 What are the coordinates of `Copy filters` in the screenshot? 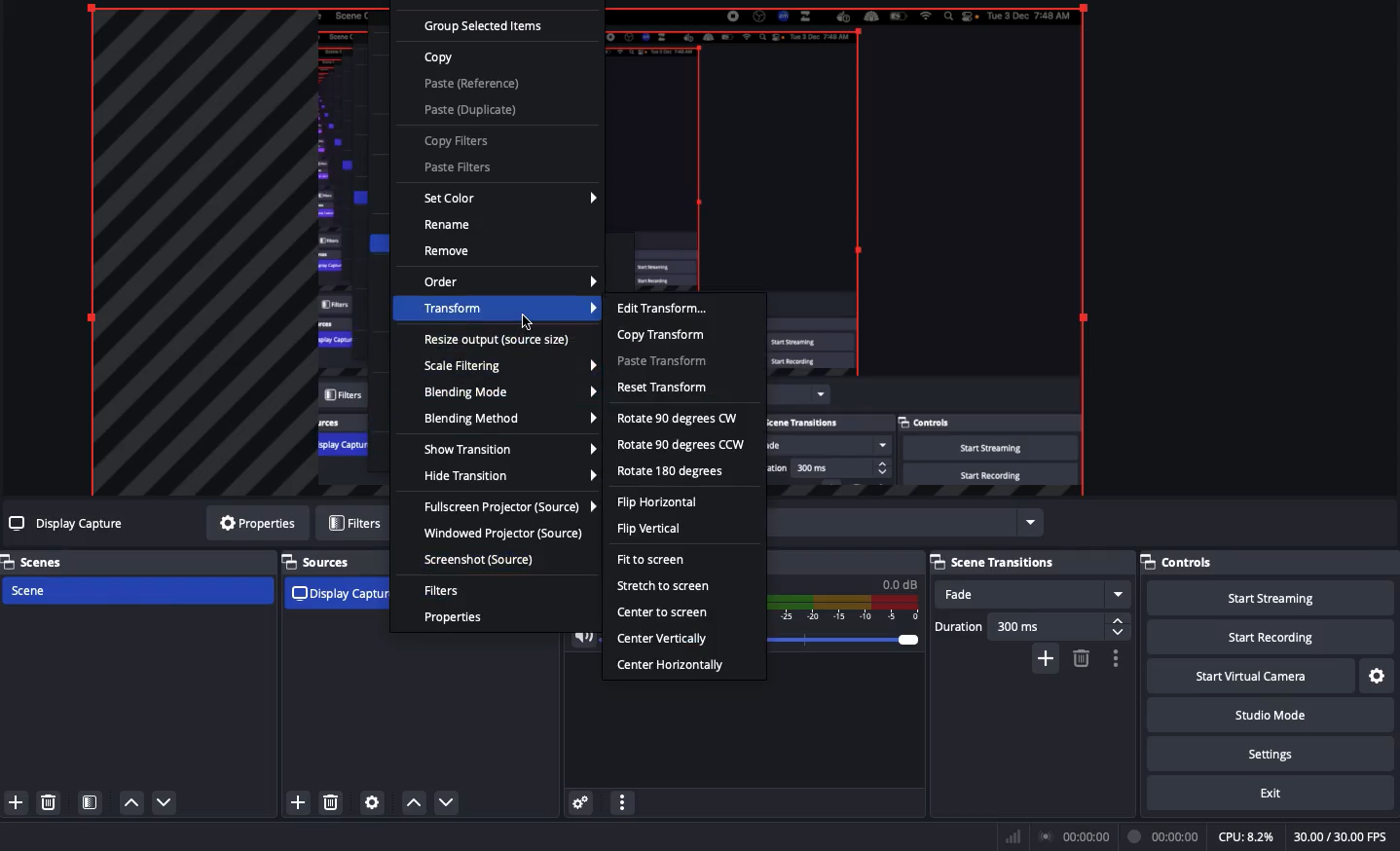 It's located at (457, 141).